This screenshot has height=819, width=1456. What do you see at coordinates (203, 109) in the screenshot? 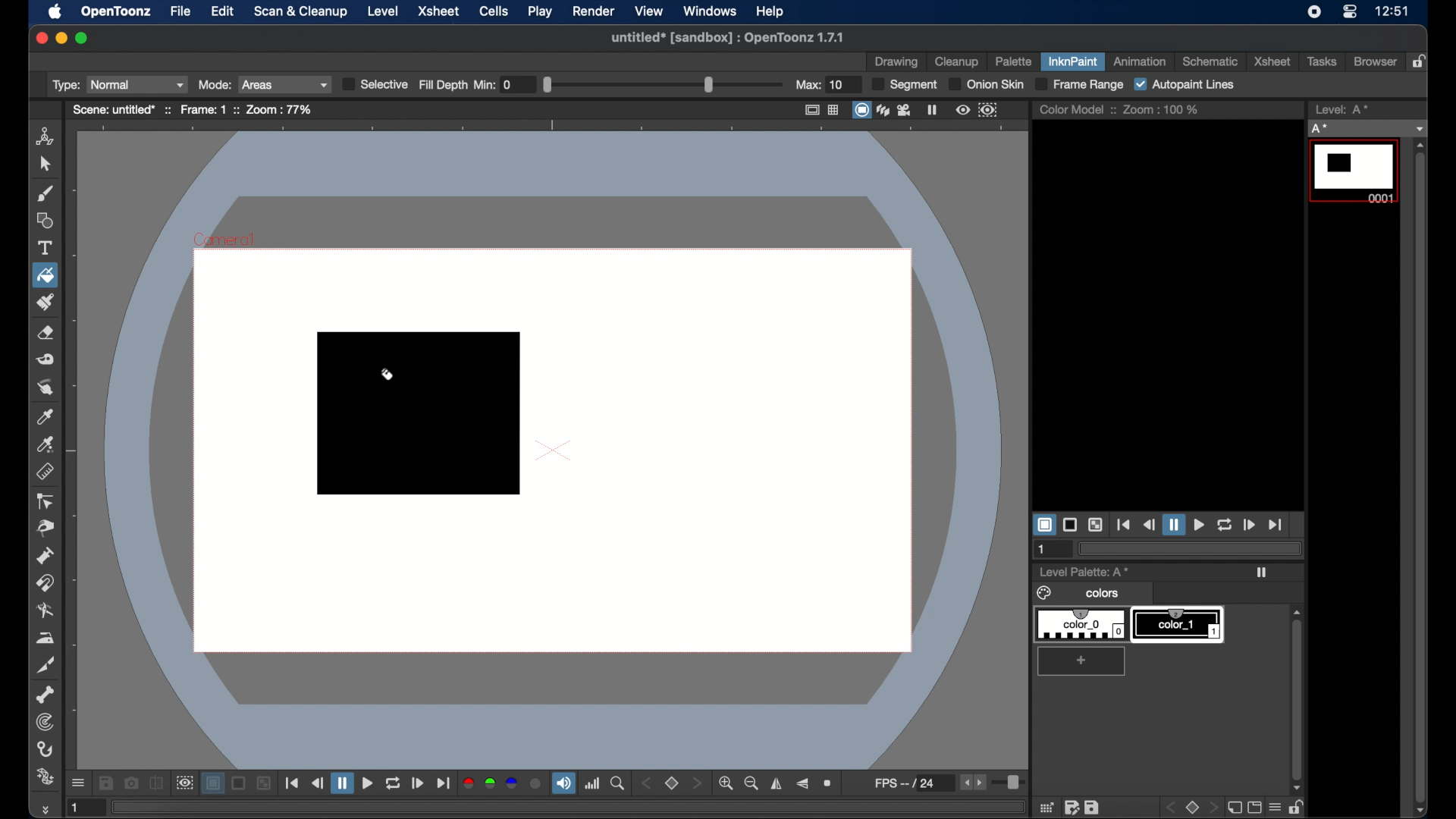
I see `frame: 1` at bounding box center [203, 109].